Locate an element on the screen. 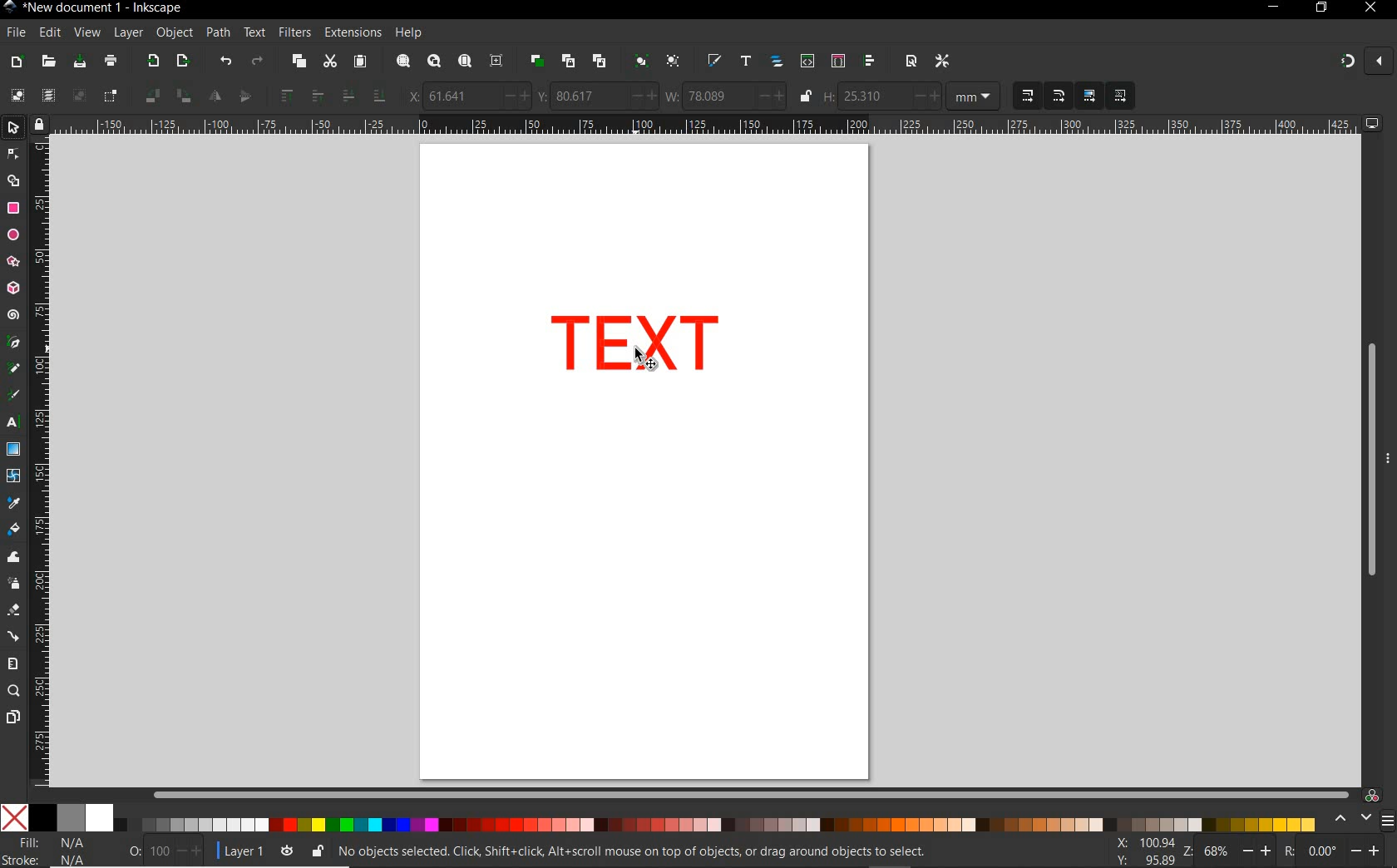  cursor coordintes is located at coordinates (1143, 850).